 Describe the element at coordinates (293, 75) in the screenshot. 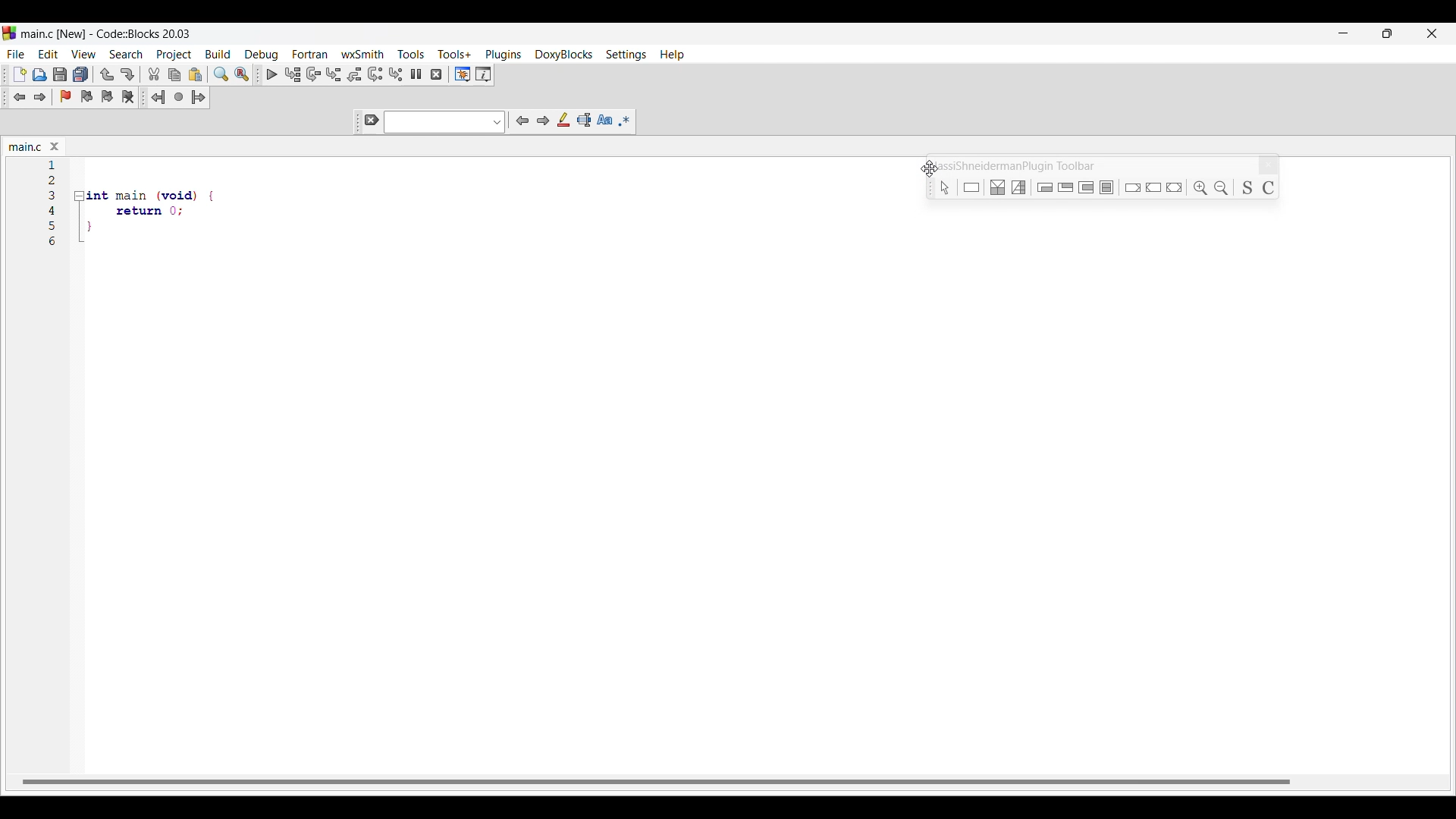

I see `Run to cursor` at that location.